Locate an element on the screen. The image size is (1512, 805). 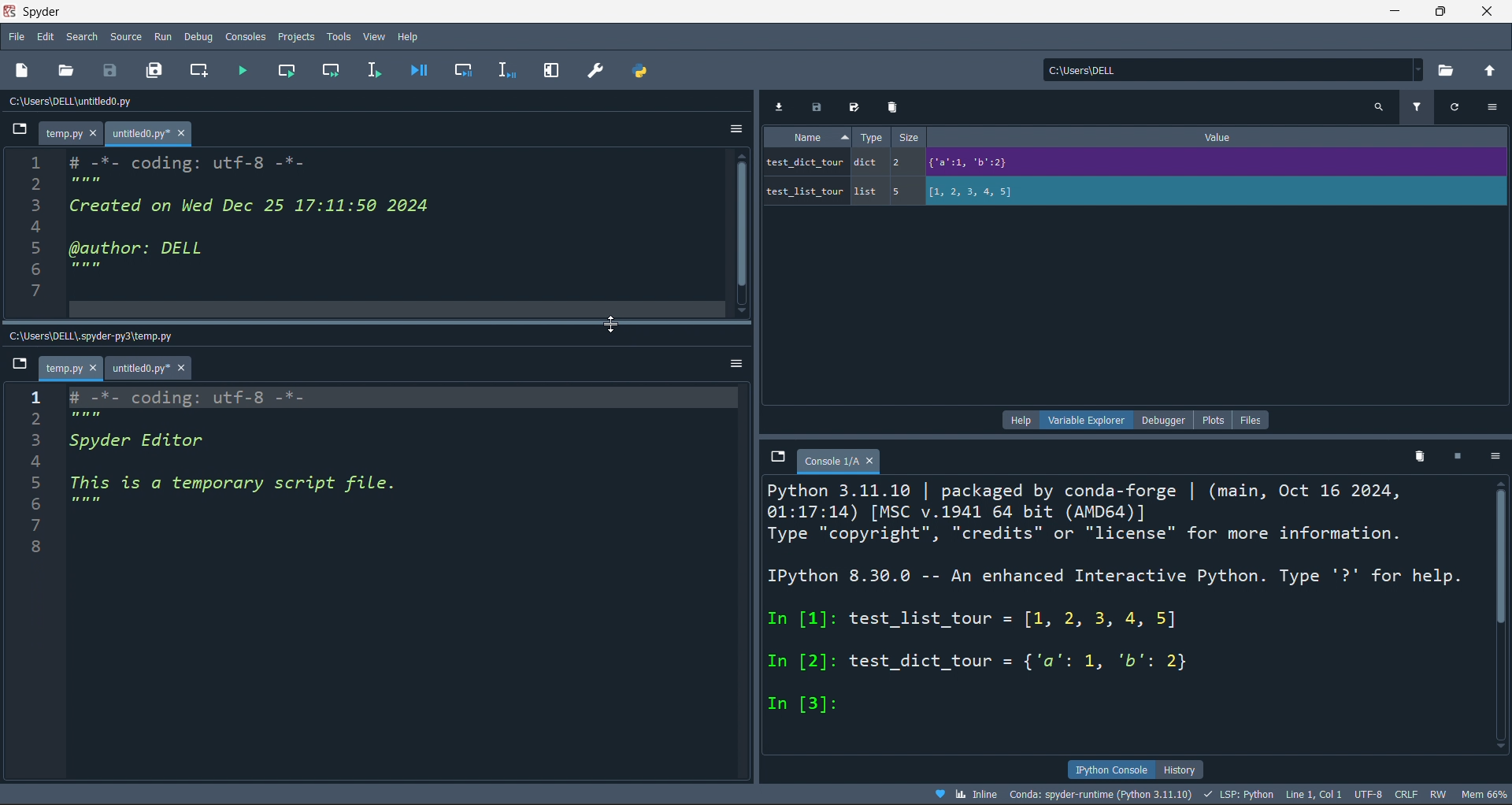
maximize/resize is located at coordinates (1441, 13).